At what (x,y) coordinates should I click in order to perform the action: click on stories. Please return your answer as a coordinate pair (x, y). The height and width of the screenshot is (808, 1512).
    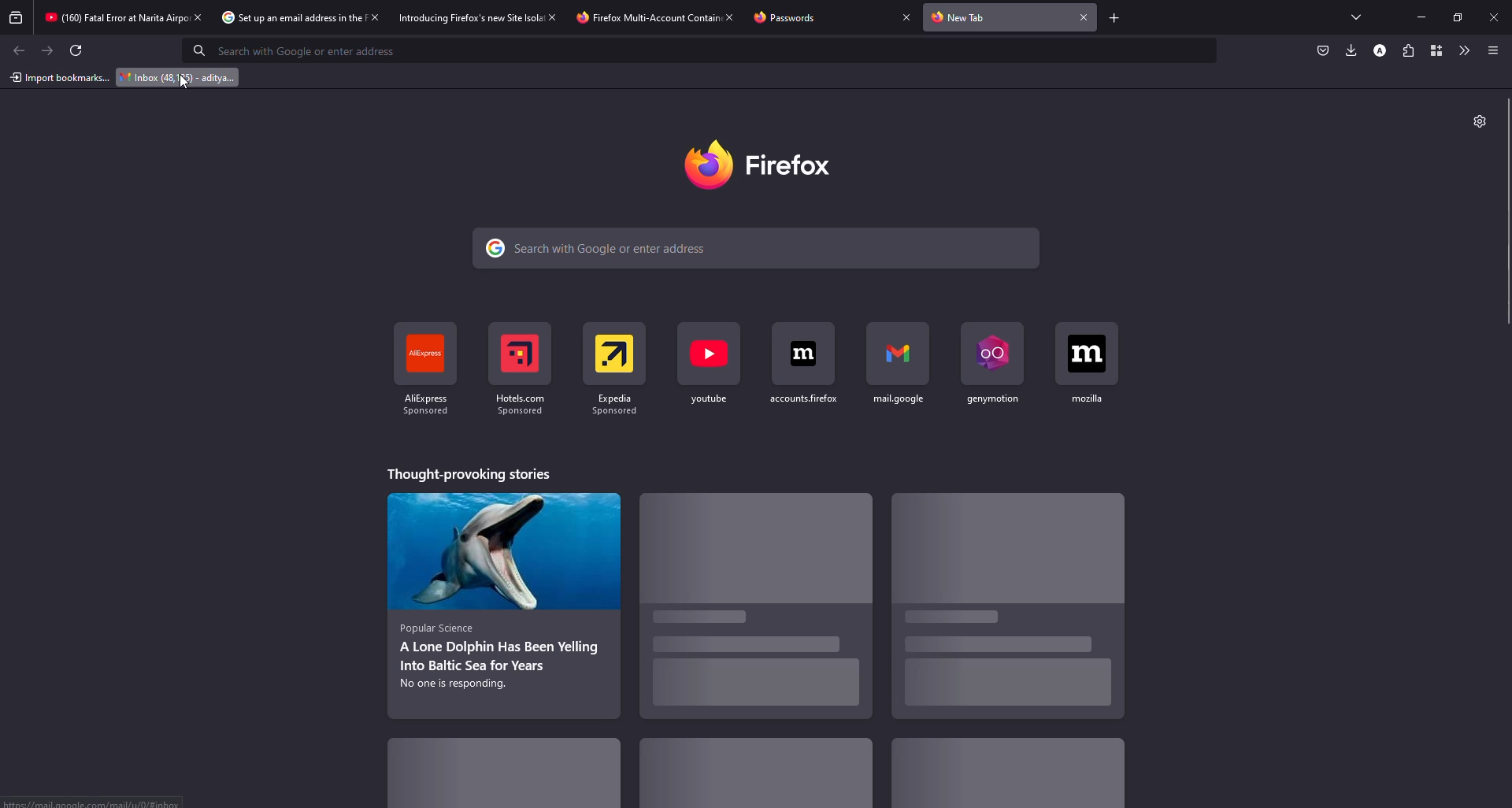
    Looking at the image, I should click on (743, 777).